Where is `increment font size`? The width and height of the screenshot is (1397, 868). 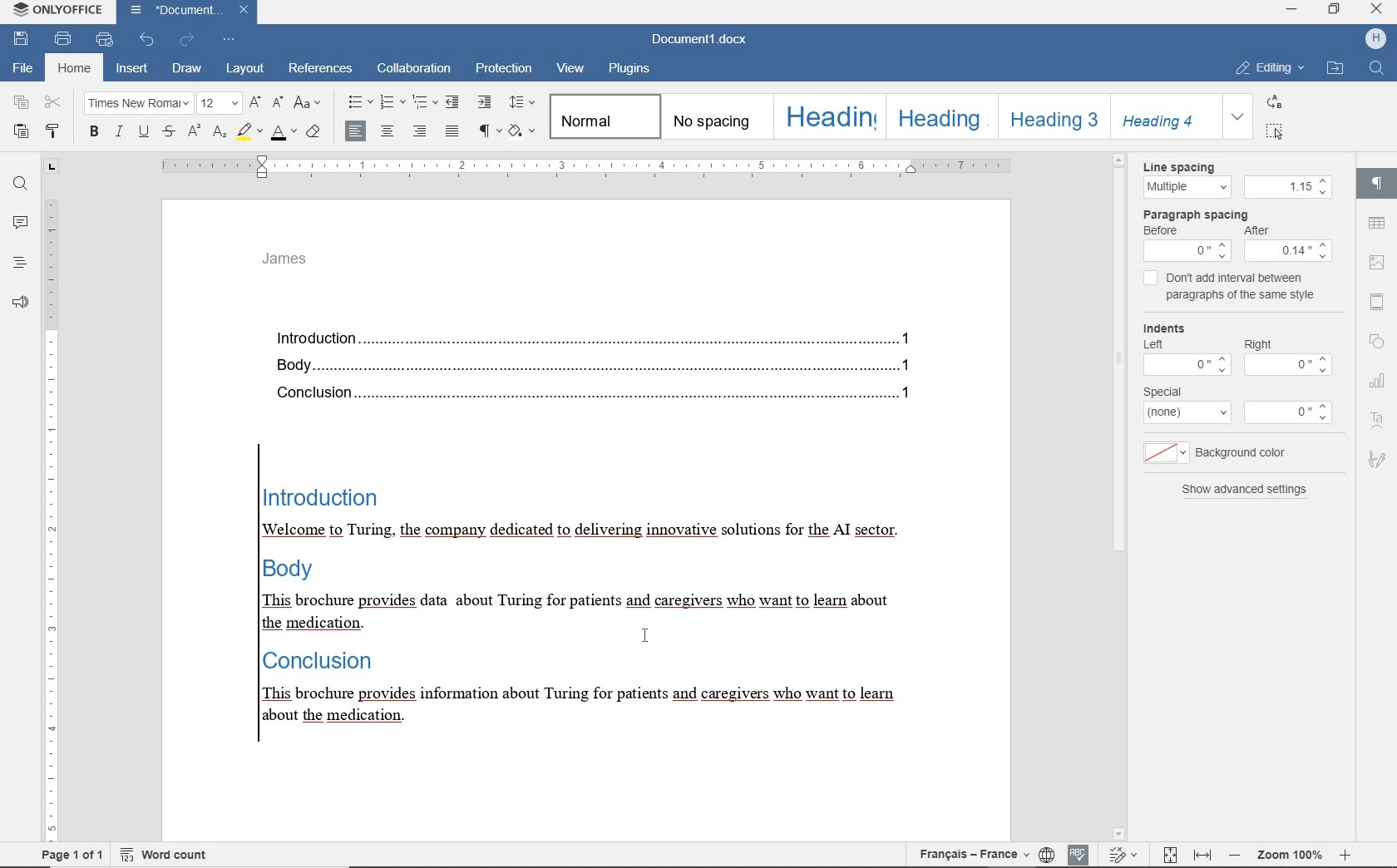
increment font size is located at coordinates (255, 103).